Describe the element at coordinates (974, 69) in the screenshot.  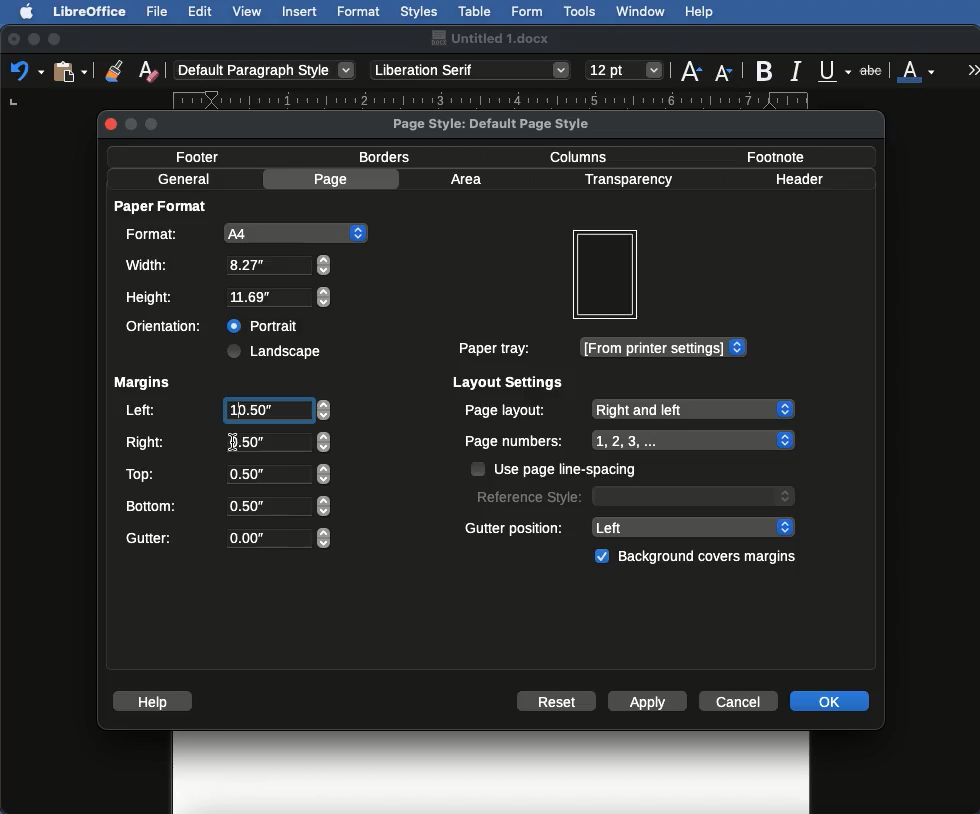
I see `More` at that location.